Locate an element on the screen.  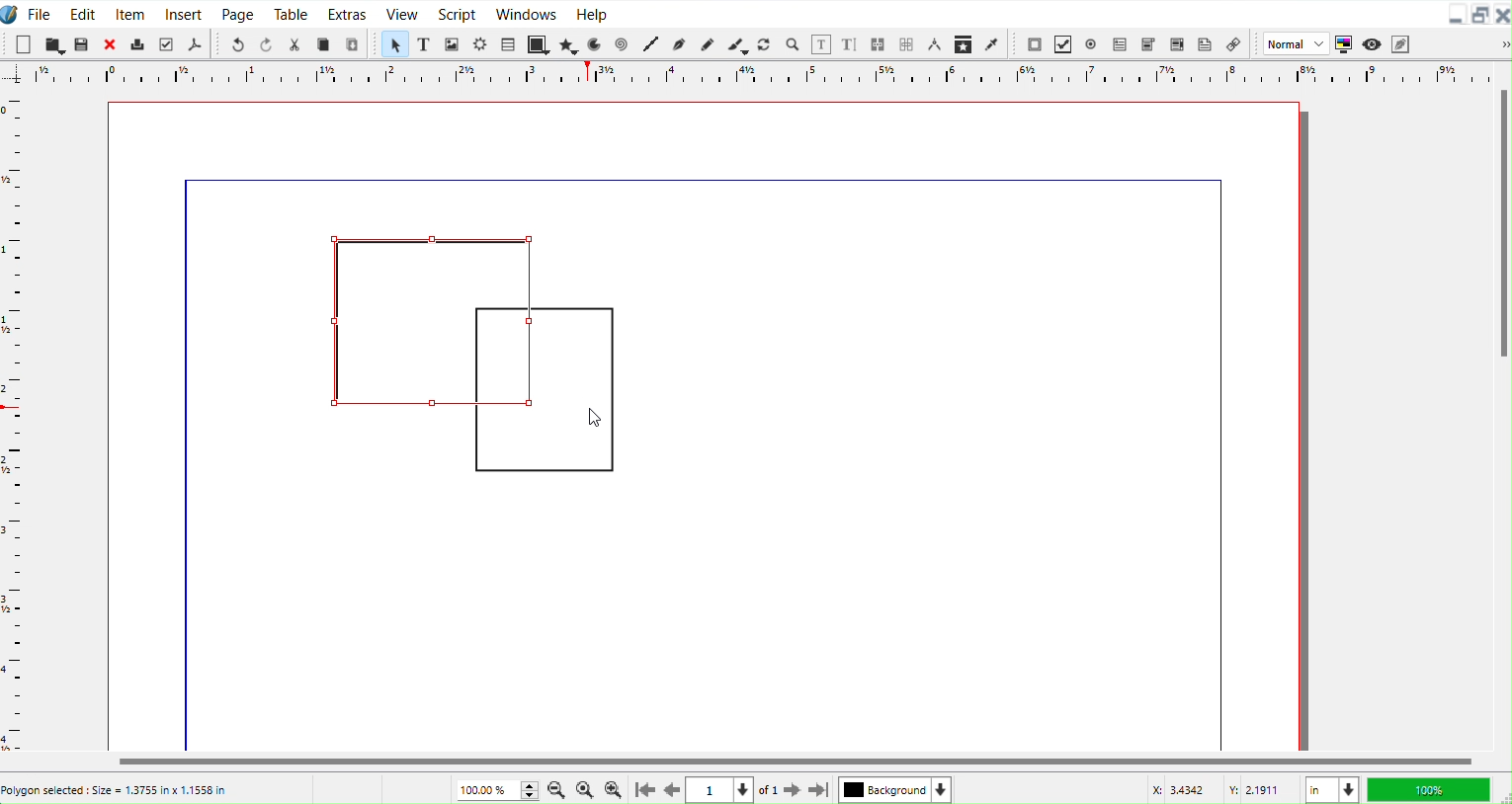
Vertical Scale is located at coordinates (743, 76).